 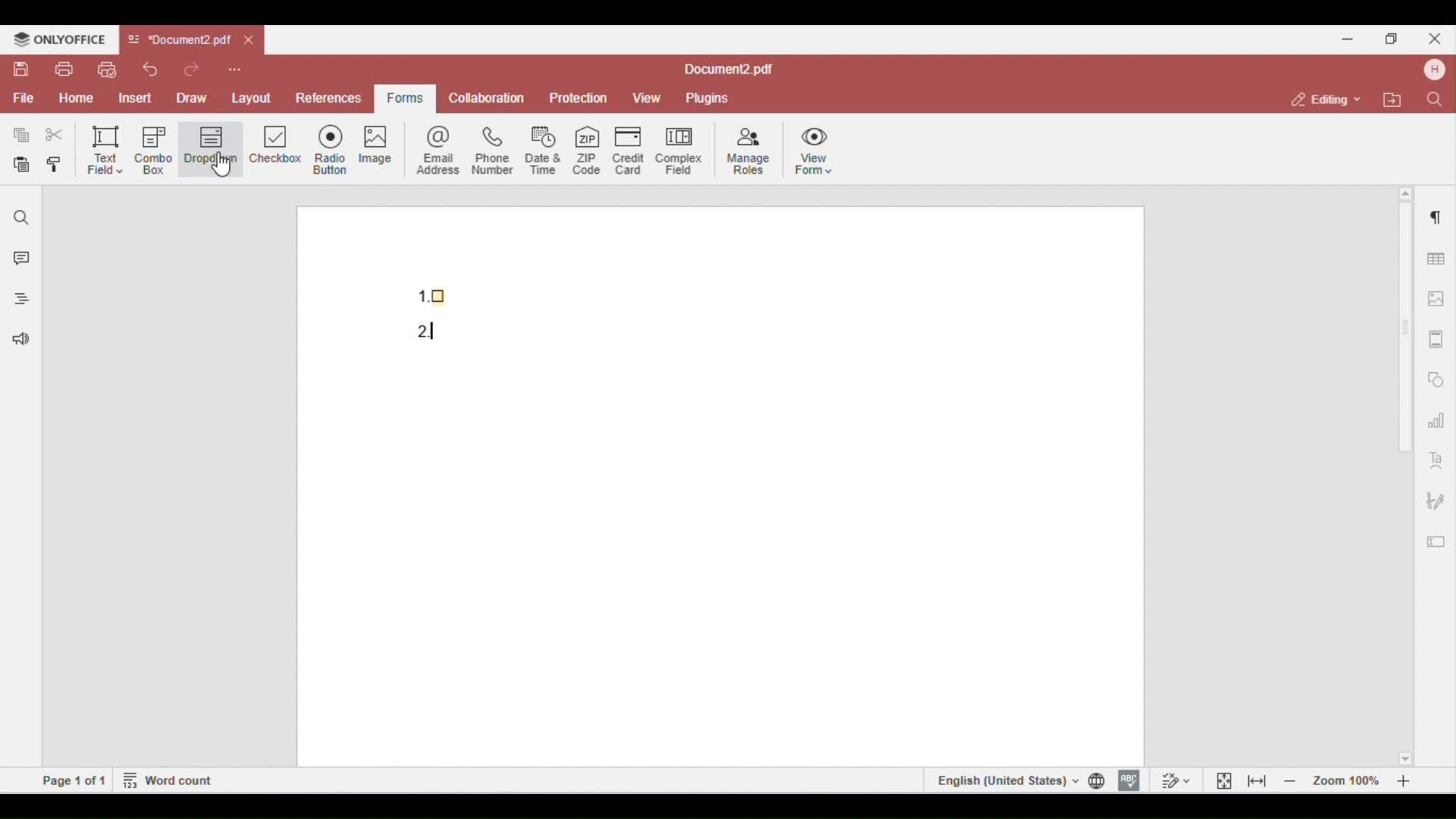 I want to click on set document language, so click(x=1100, y=780).